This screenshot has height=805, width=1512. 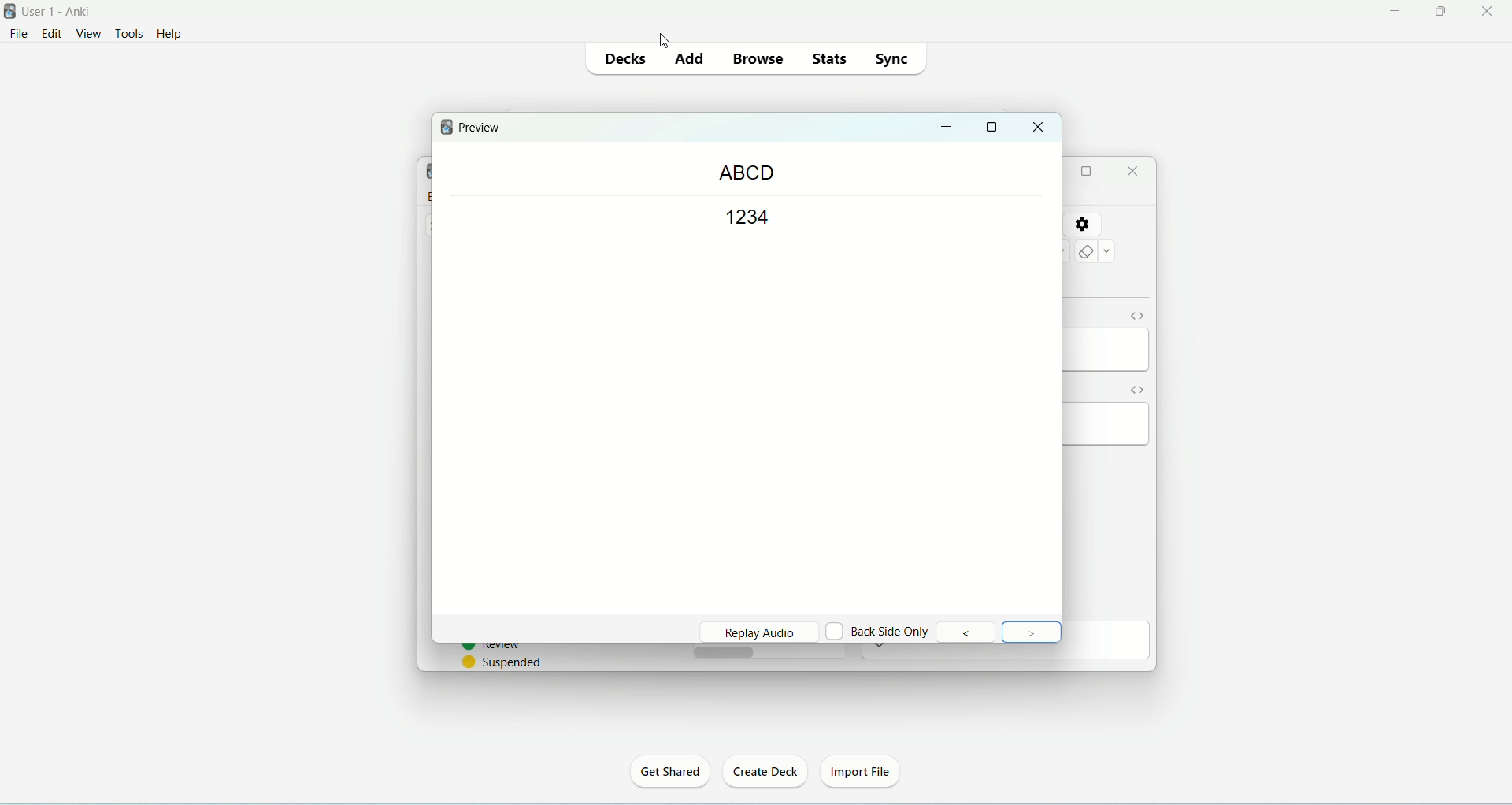 What do you see at coordinates (769, 652) in the screenshot?
I see `horizontal scroll bar` at bounding box center [769, 652].